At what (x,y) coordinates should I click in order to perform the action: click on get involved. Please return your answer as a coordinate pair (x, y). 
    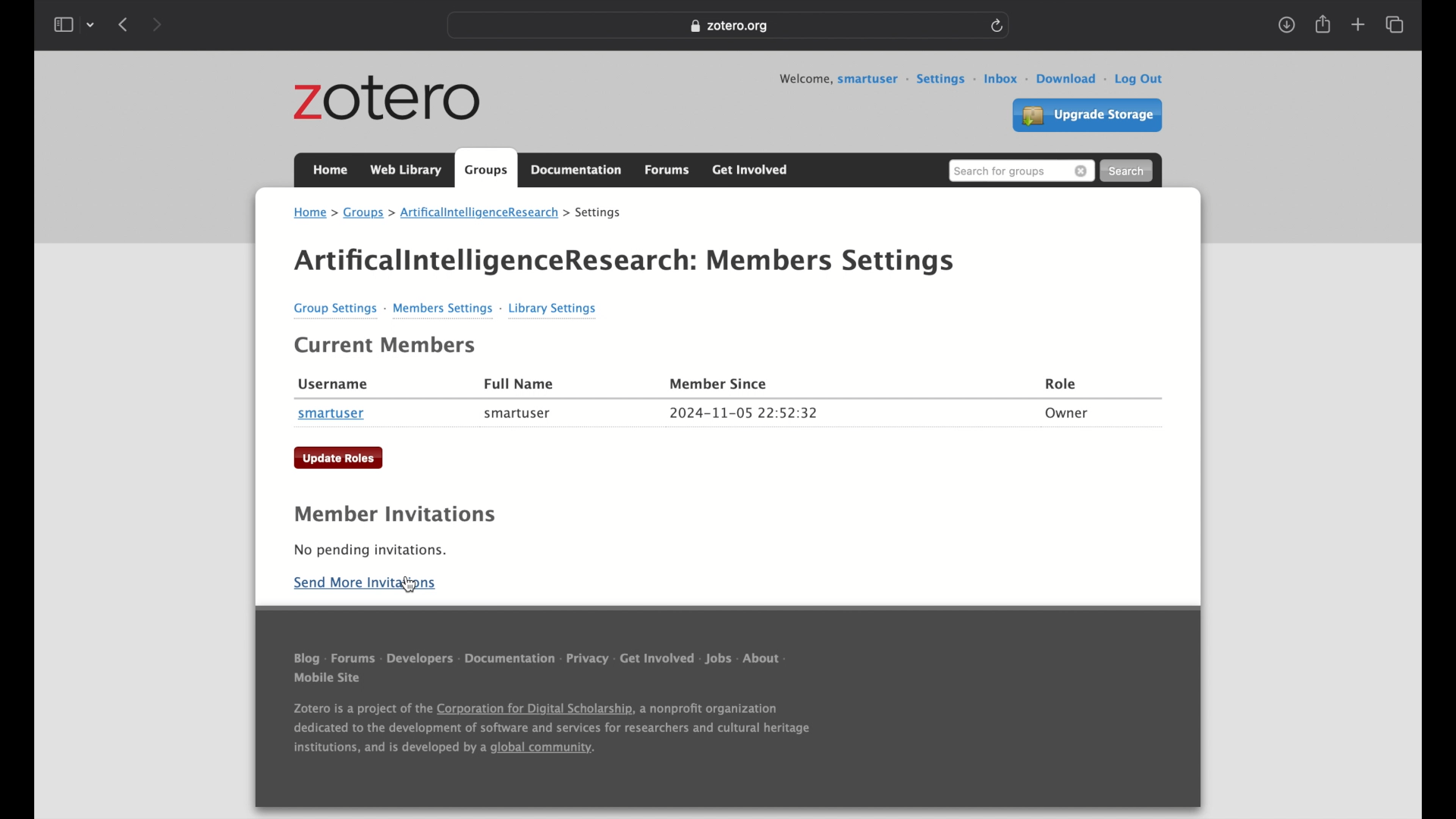
    Looking at the image, I should click on (657, 658).